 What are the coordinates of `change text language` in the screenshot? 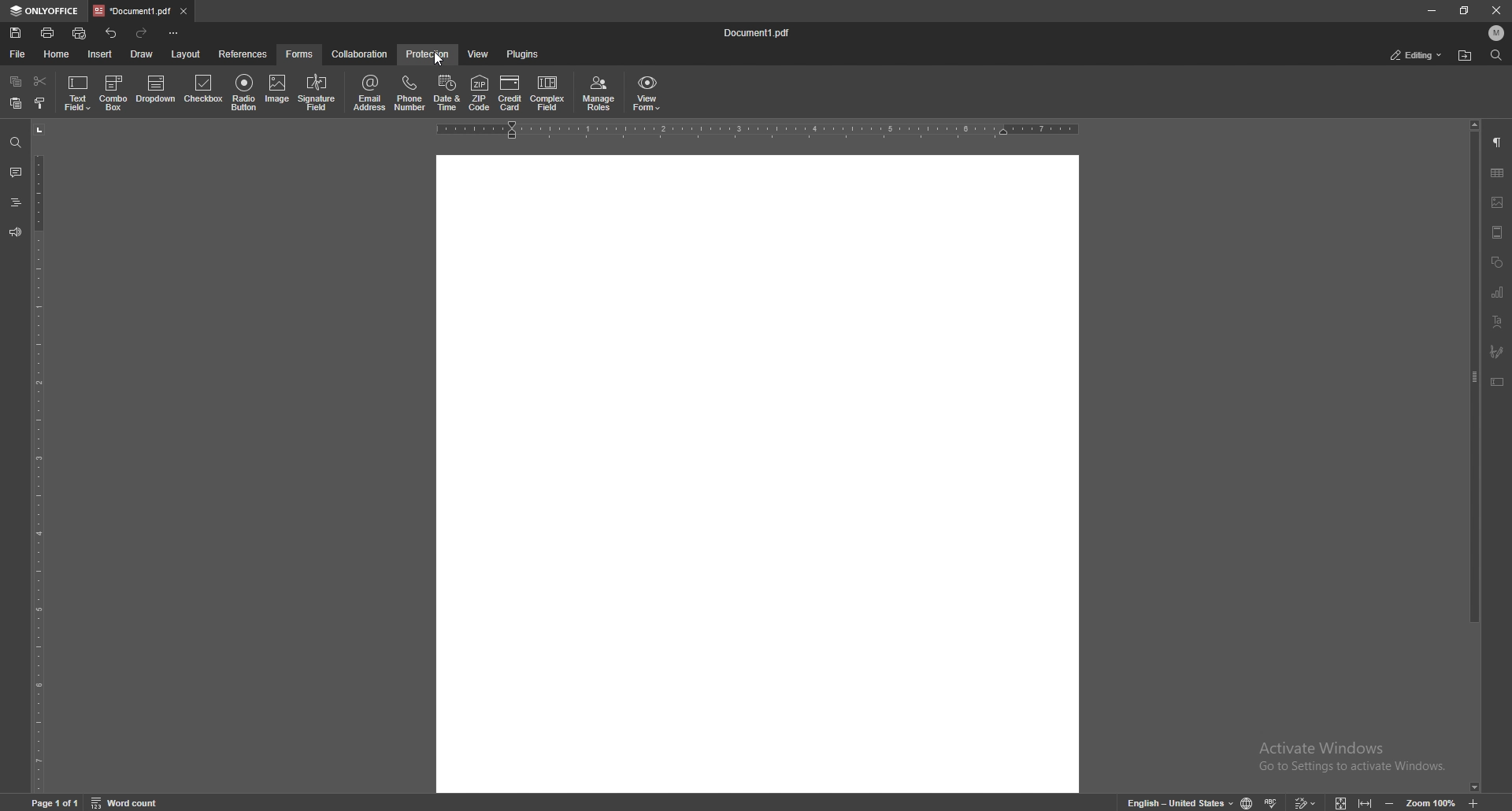 It's located at (1174, 802).